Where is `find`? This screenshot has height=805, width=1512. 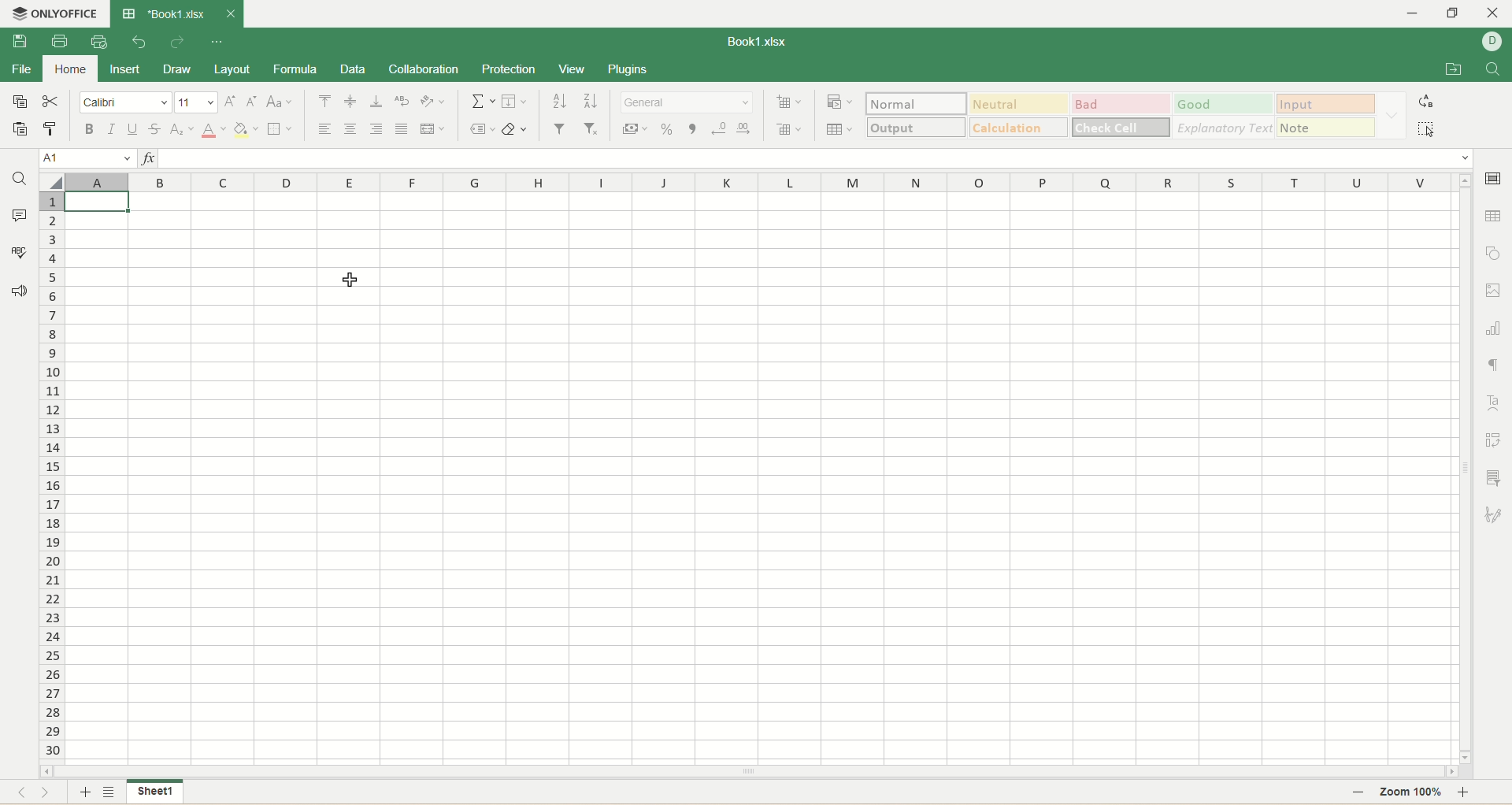 find is located at coordinates (22, 180).